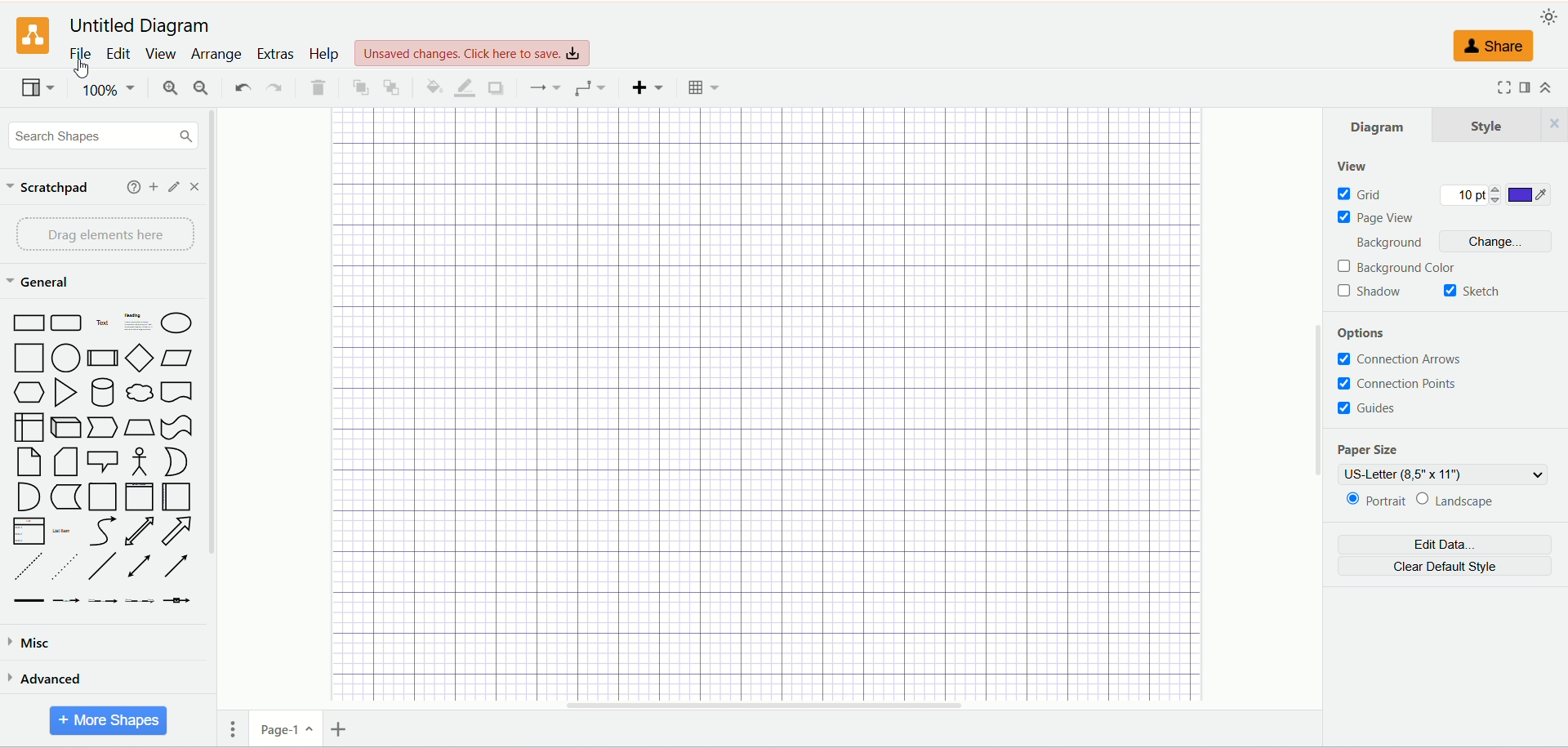  Describe the element at coordinates (67, 464) in the screenshot. I see `Card` at that location.